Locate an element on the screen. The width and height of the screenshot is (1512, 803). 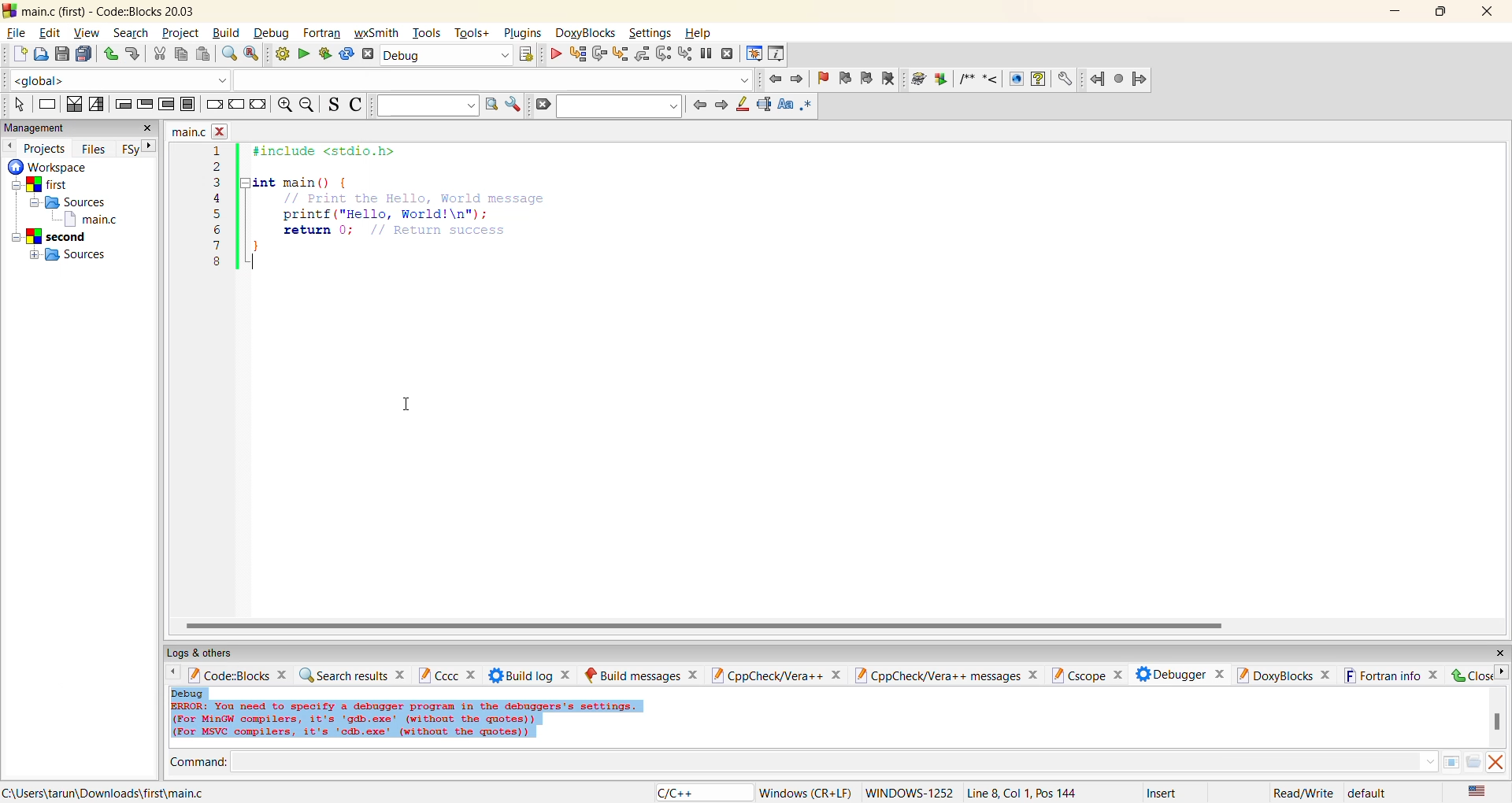
cccc is located at coordinates (447, 678).